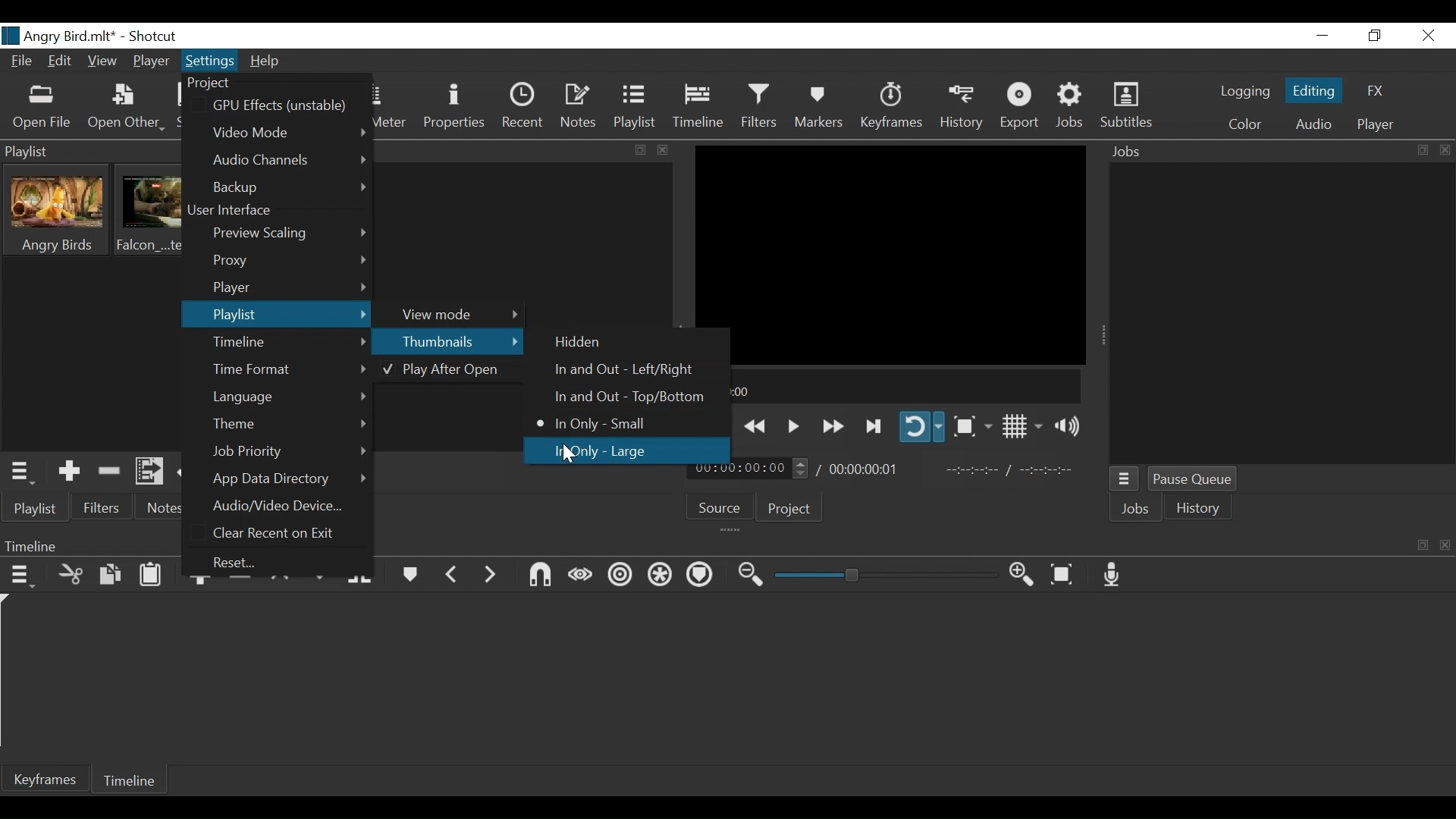 Image resolution: width=1456 pixels, height=819 pixels. I want to click on Ripple Delete, so click(239, 583).